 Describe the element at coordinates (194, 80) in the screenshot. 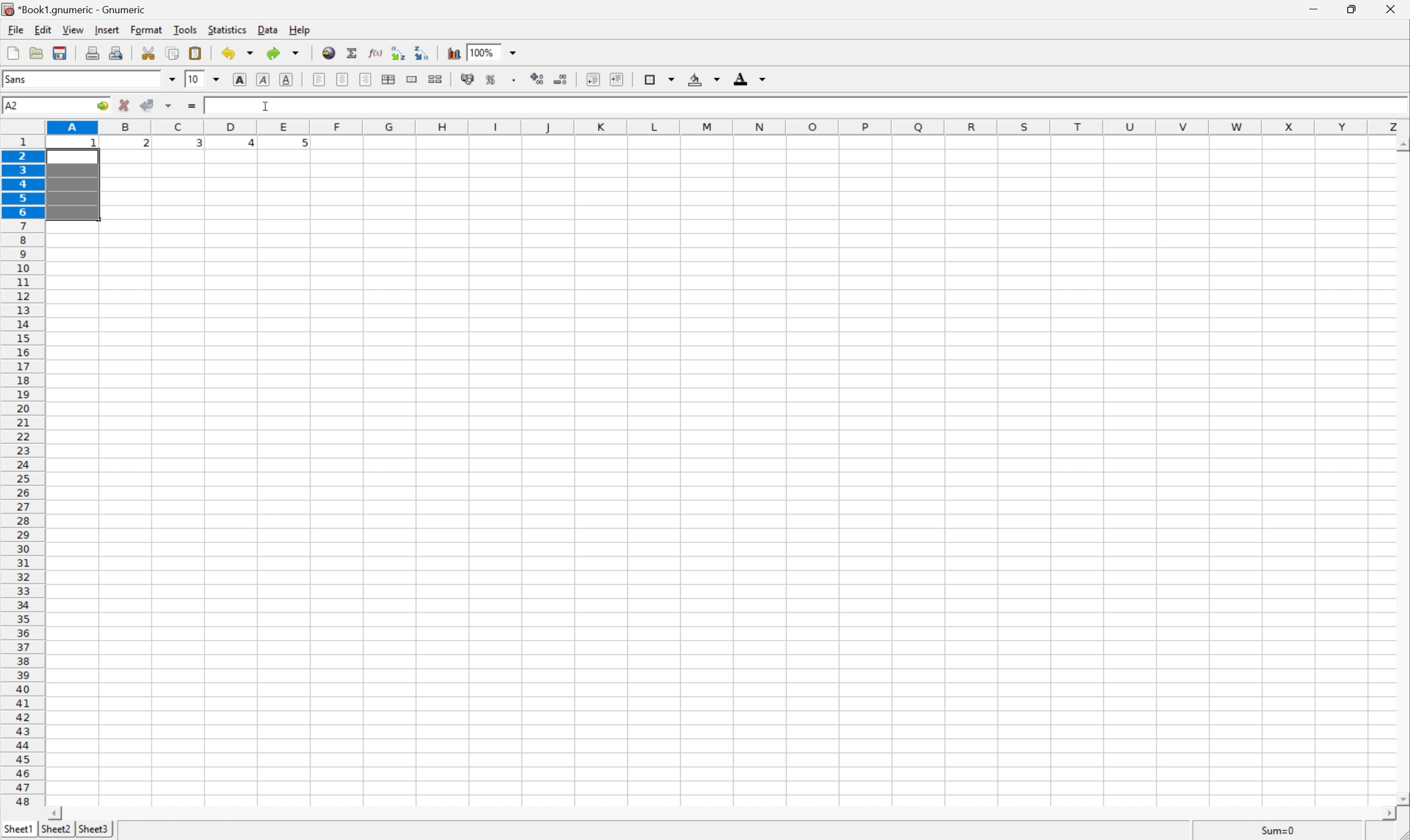

I see `10` at that location.